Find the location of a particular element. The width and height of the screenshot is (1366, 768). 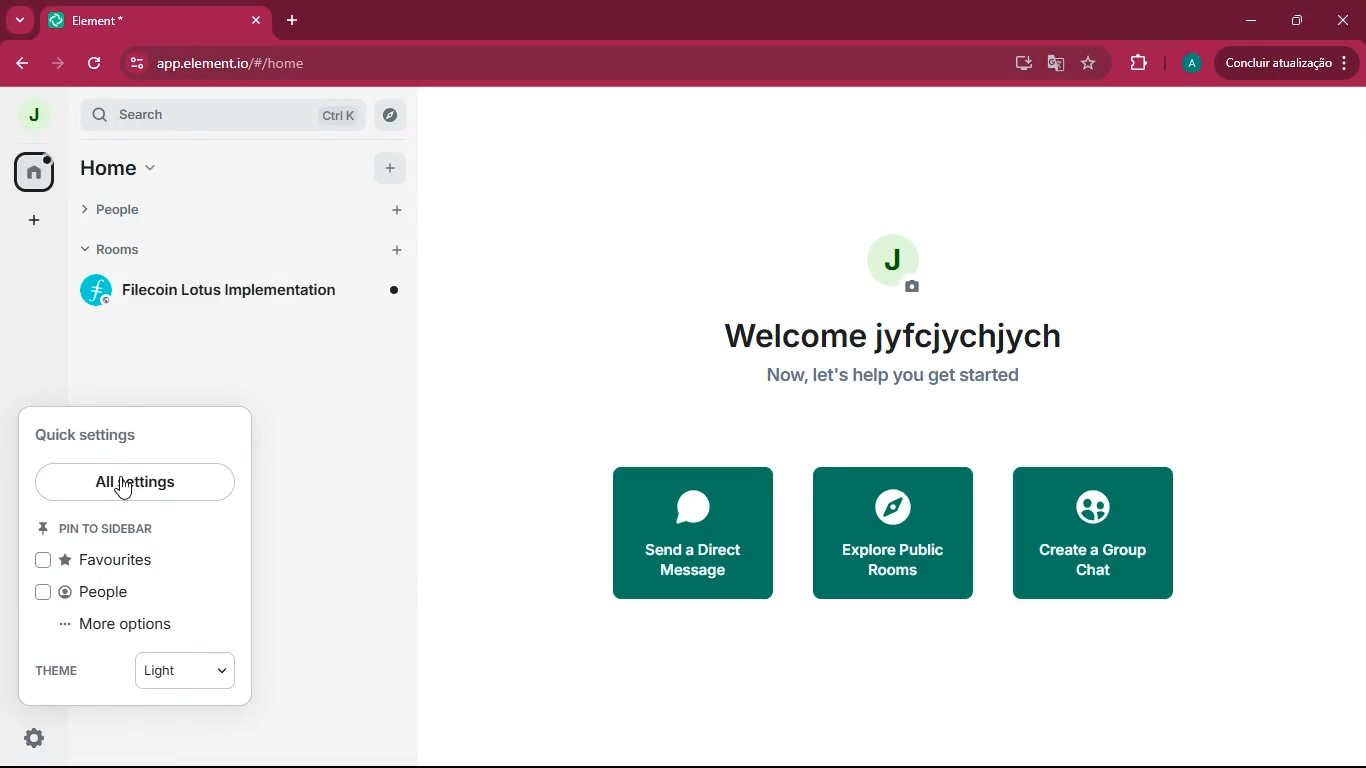

update is located at coordinates (1286, 63).